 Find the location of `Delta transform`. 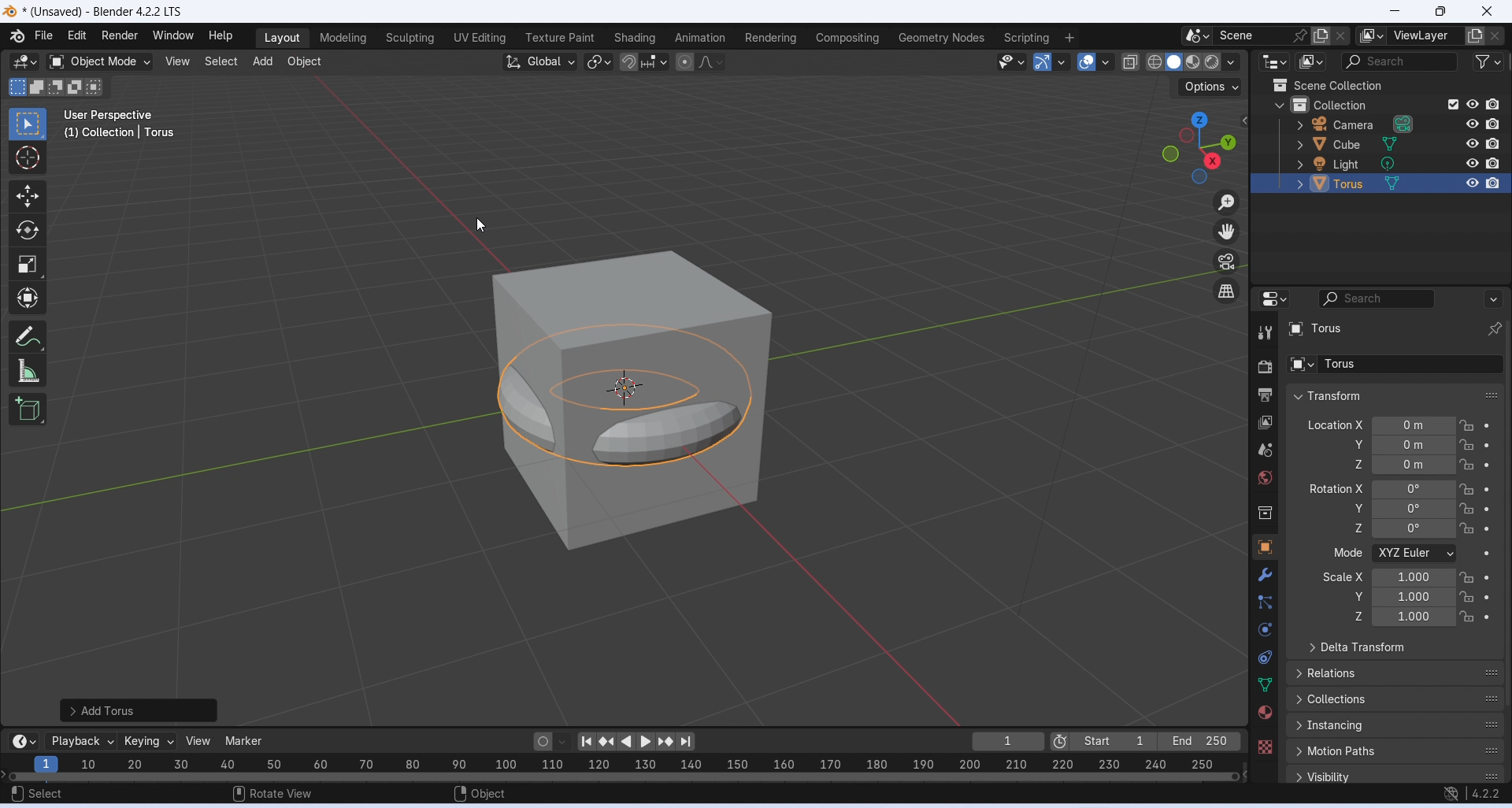

Delta transform is located at coordinates (1358, 648).